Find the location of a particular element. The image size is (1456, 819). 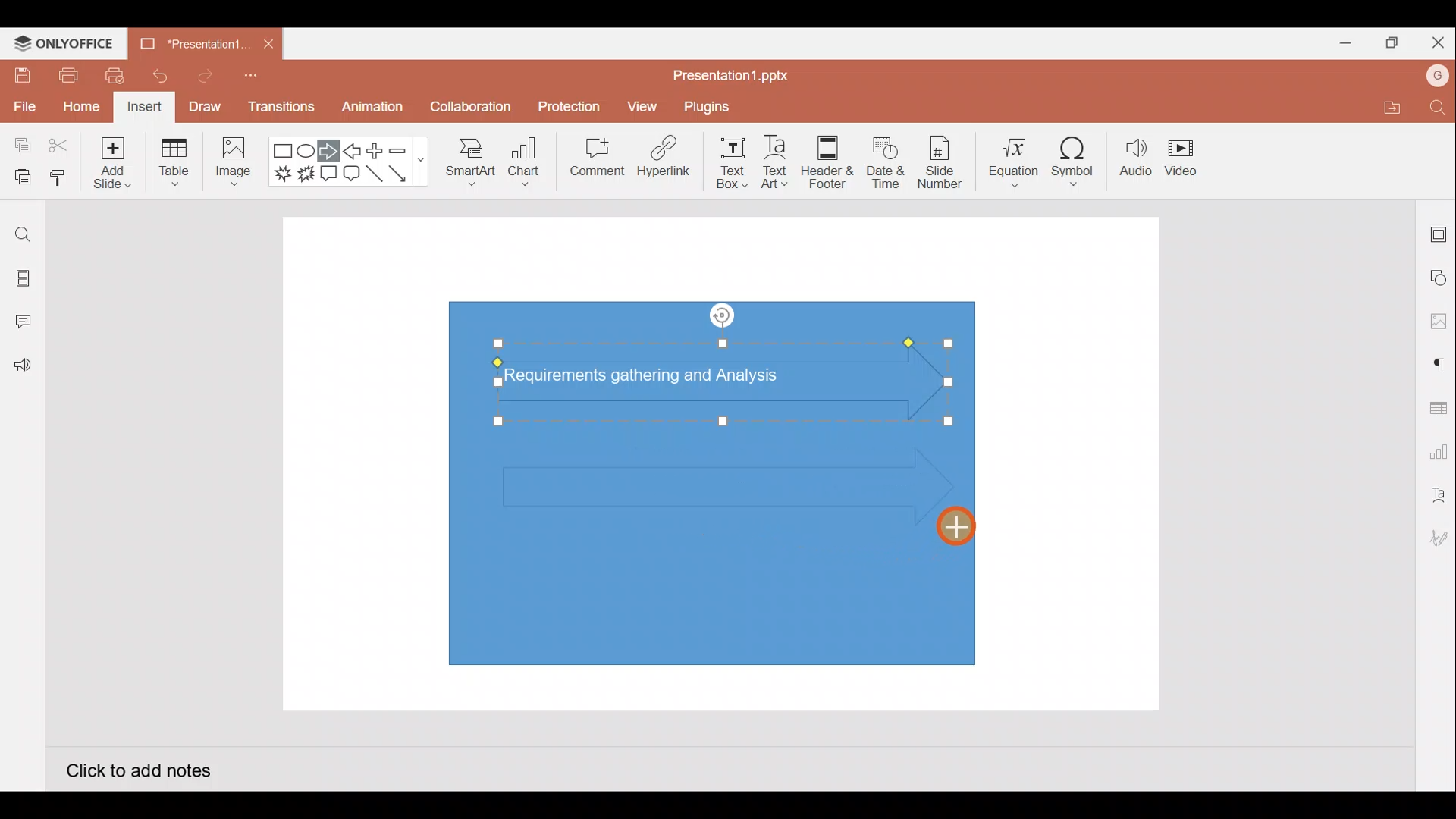

Right arrow is located at coordinates (328, 152).